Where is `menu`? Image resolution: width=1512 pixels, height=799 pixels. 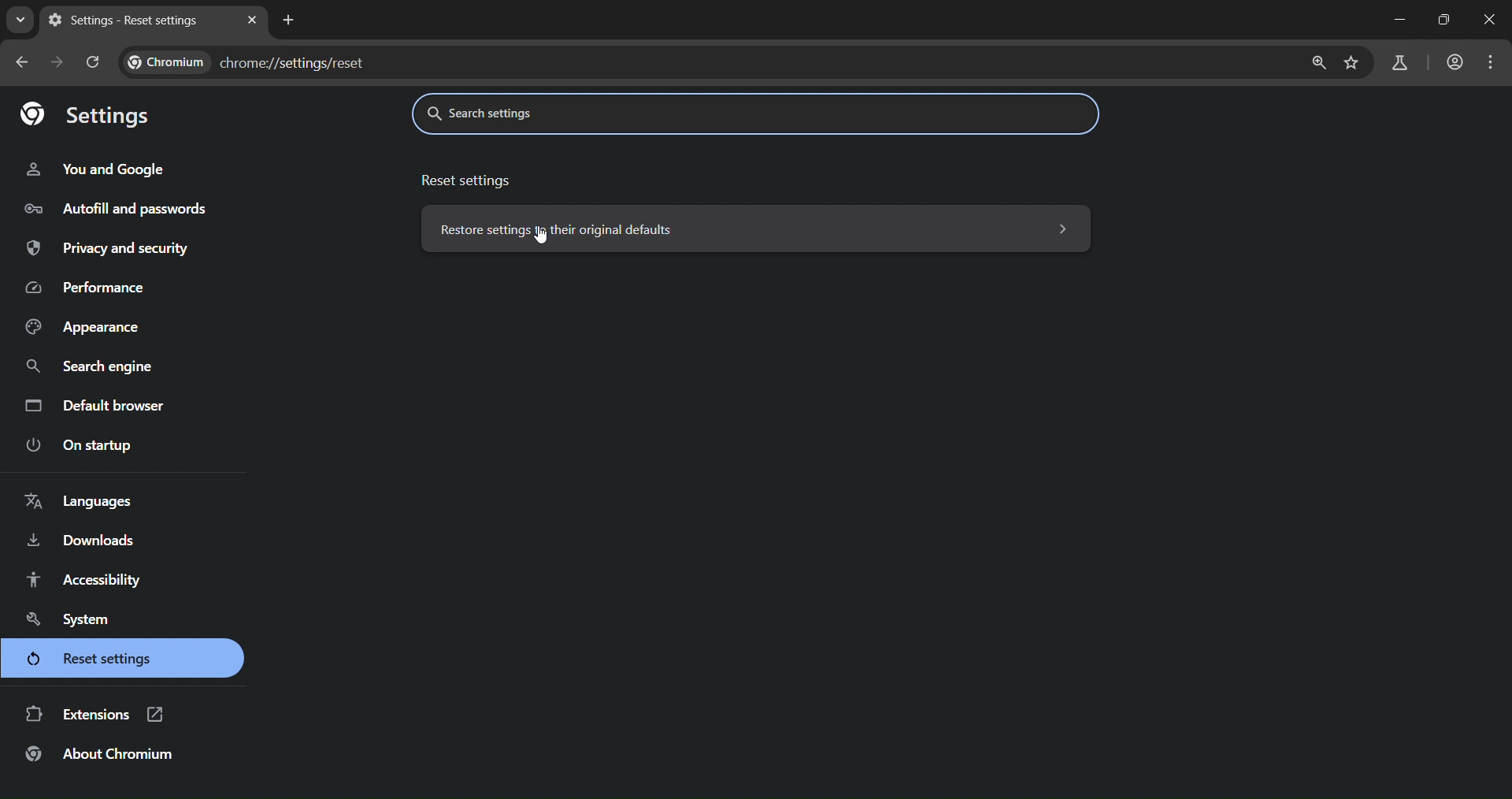
menu is located at coordinates (1494, 62).